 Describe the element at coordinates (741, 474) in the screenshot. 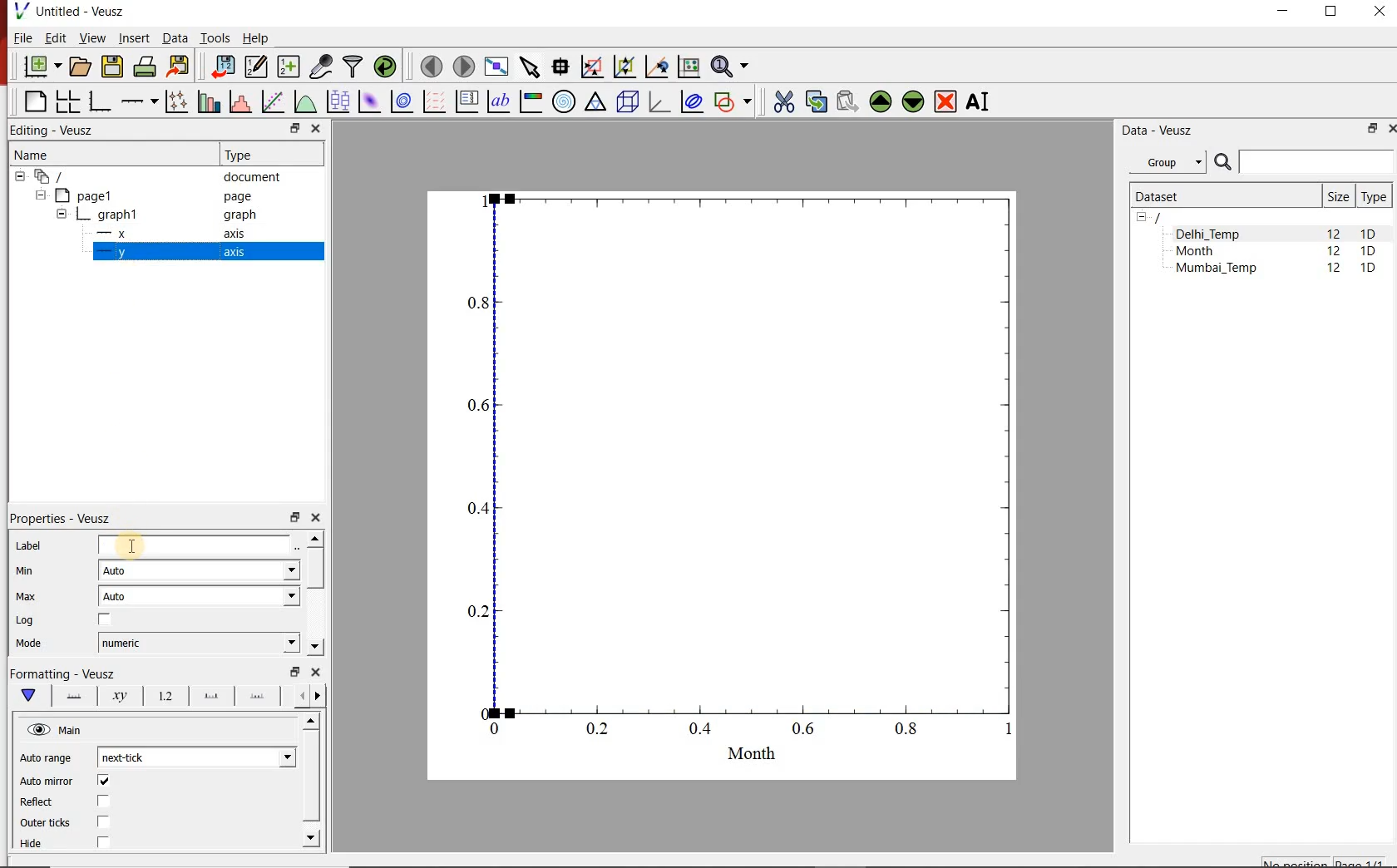

I see `graph1` at that location.